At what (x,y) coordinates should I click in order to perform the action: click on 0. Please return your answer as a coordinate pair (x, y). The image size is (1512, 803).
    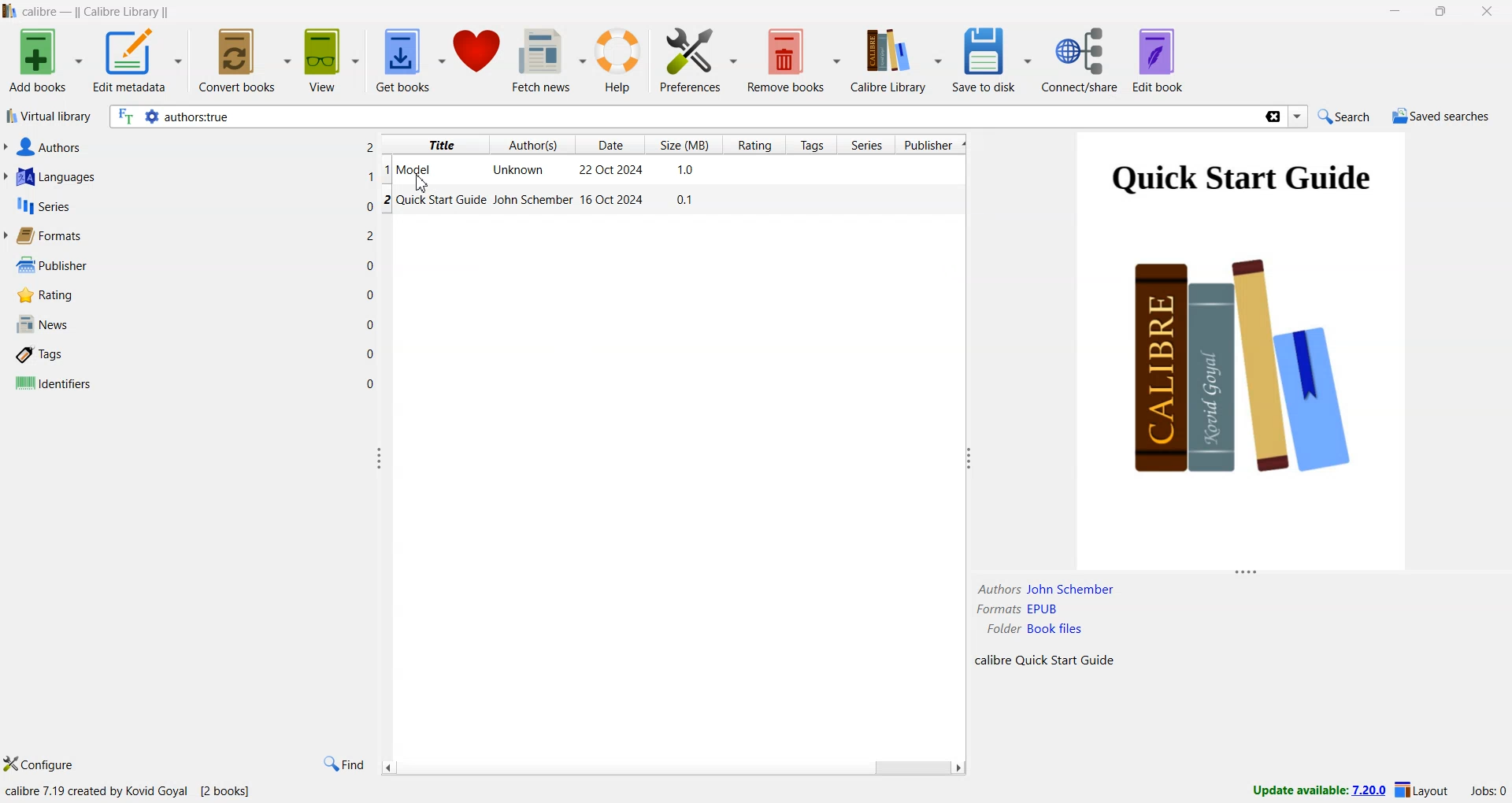
    Looking at the image, I should click on (369, 205).